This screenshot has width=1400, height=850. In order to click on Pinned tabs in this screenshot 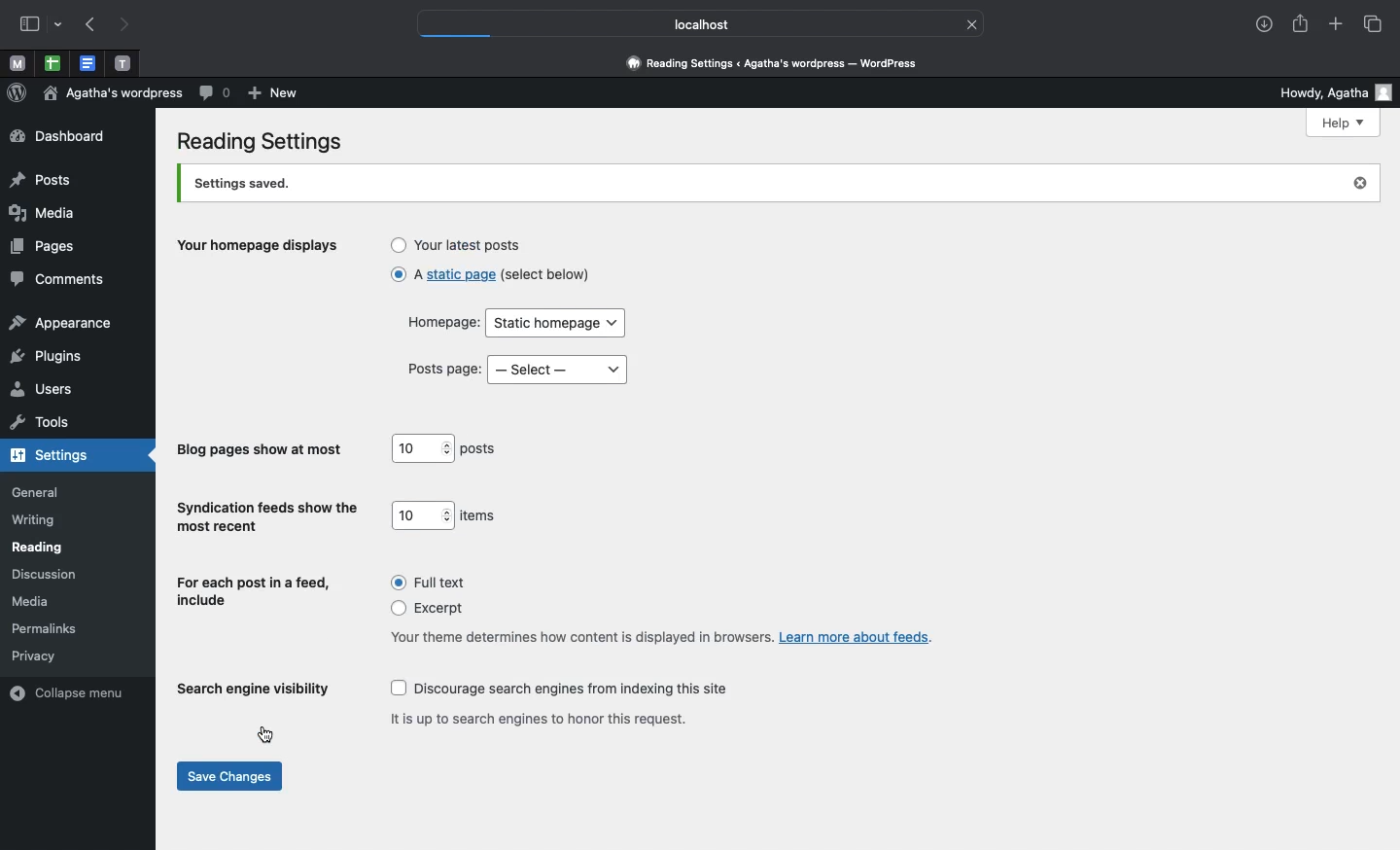, I will do `click(14, 62)`.